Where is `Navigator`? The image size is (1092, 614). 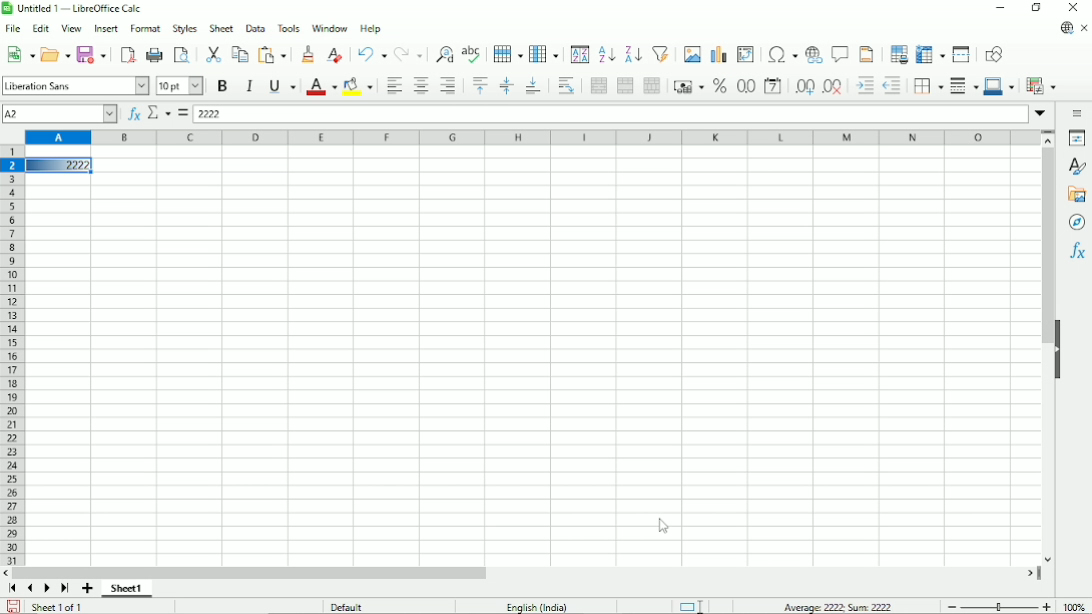 Navigator is located at coordinates (1078, 223).